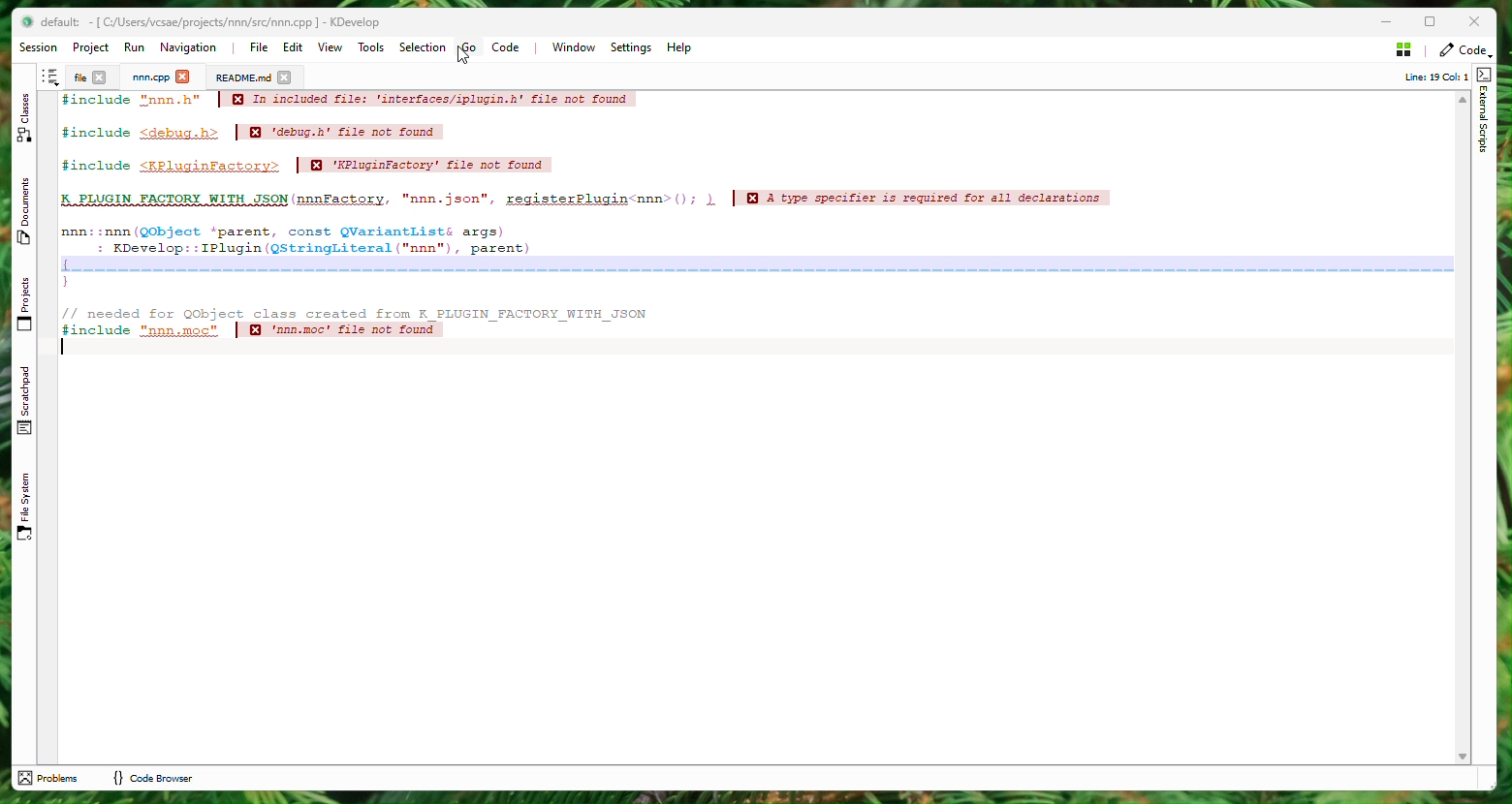 The width and height of the screenshot is (1512, 804). I want to click on Code, so click(511, 49).